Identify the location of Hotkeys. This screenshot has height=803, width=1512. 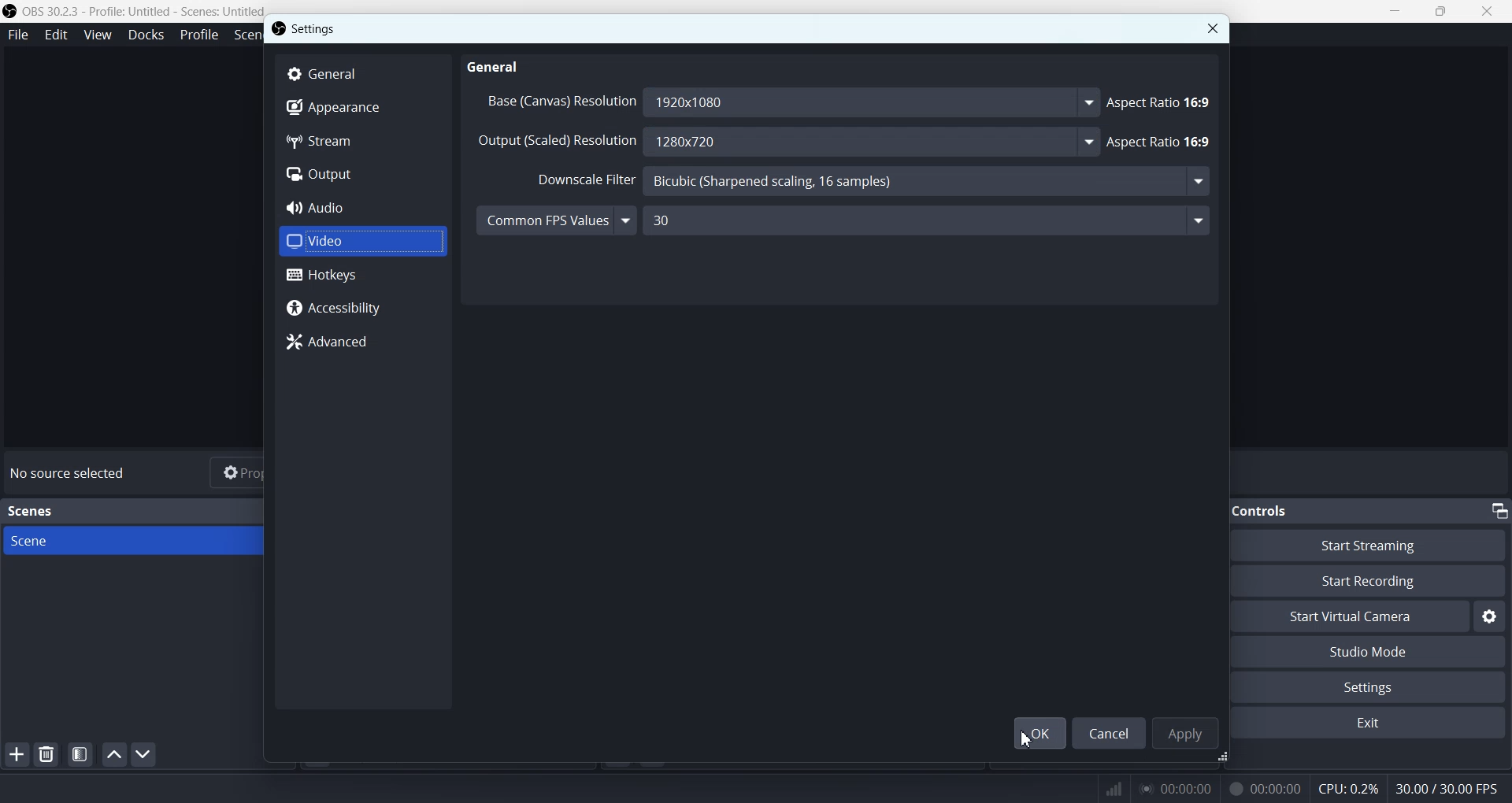
(363, 275).